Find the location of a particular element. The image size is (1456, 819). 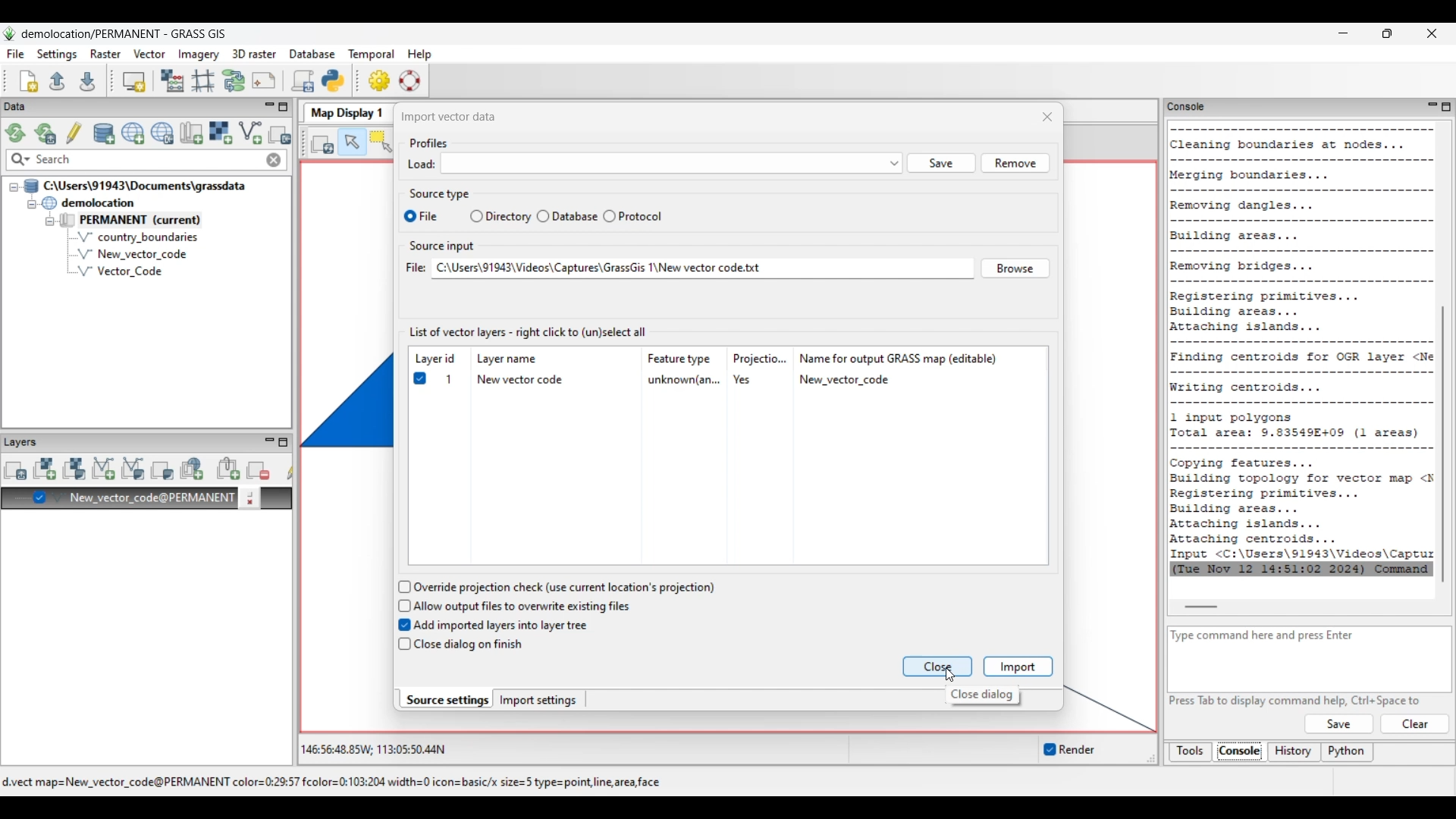

Launch user-defined script is located at coordinates (303, 80).